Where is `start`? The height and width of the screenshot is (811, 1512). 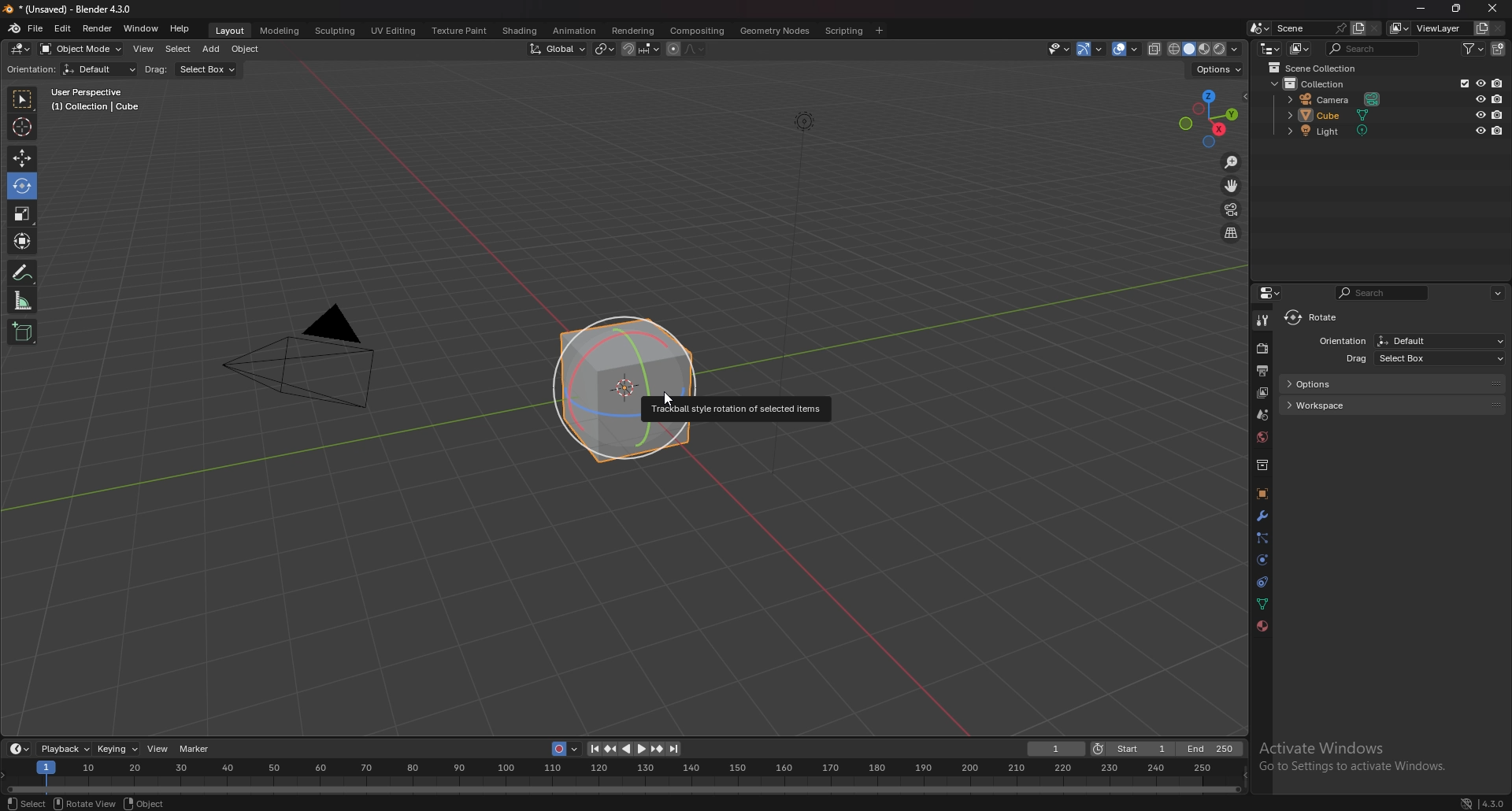
start is located at coordinates (1133, 749).